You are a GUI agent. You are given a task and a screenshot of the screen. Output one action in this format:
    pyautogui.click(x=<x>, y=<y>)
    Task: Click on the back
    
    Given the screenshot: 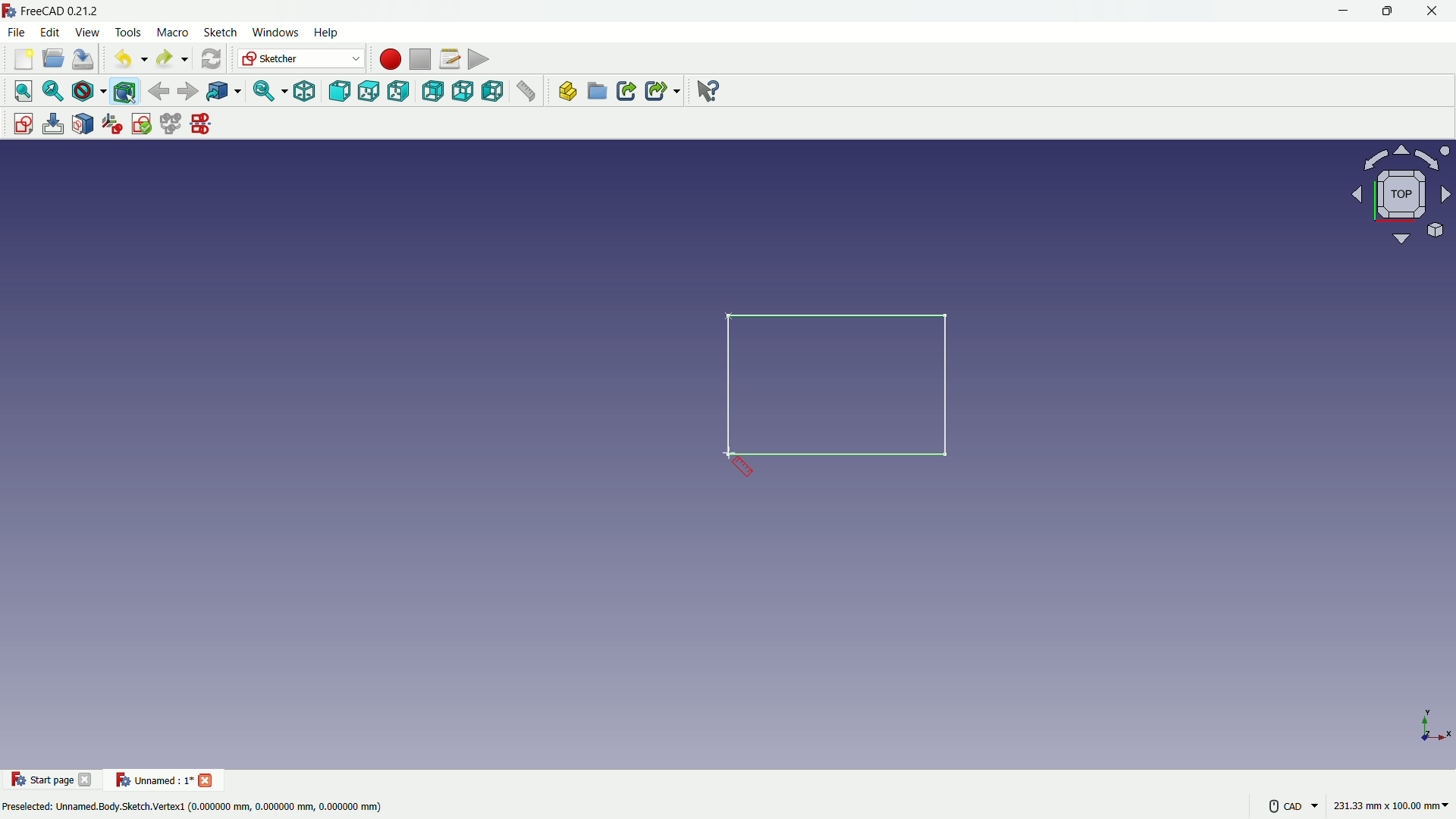 What is the action you would take?
    pyautogui.click(x=158, y=90)
    